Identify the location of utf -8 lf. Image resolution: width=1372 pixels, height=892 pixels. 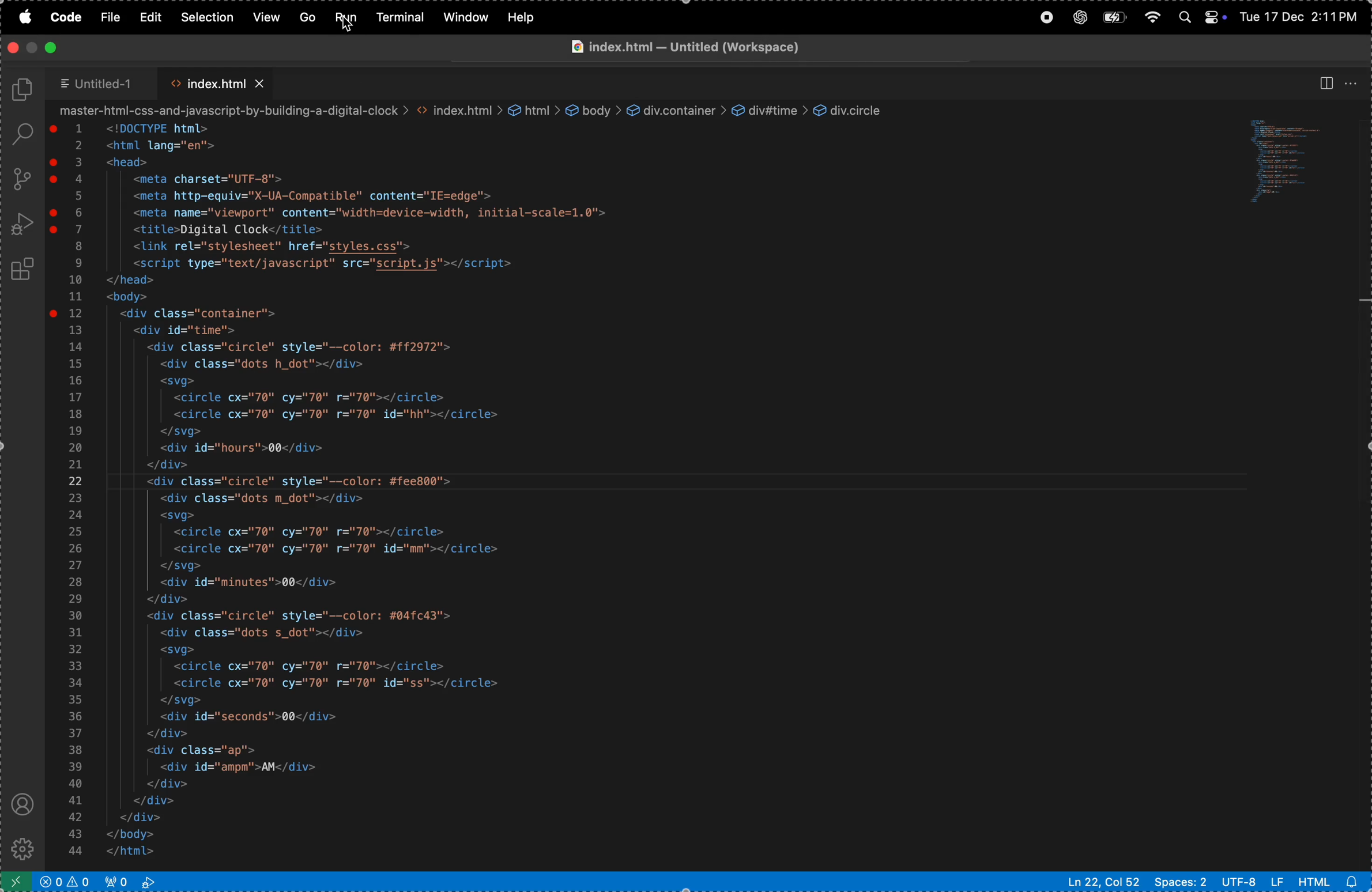
(1252, 882).